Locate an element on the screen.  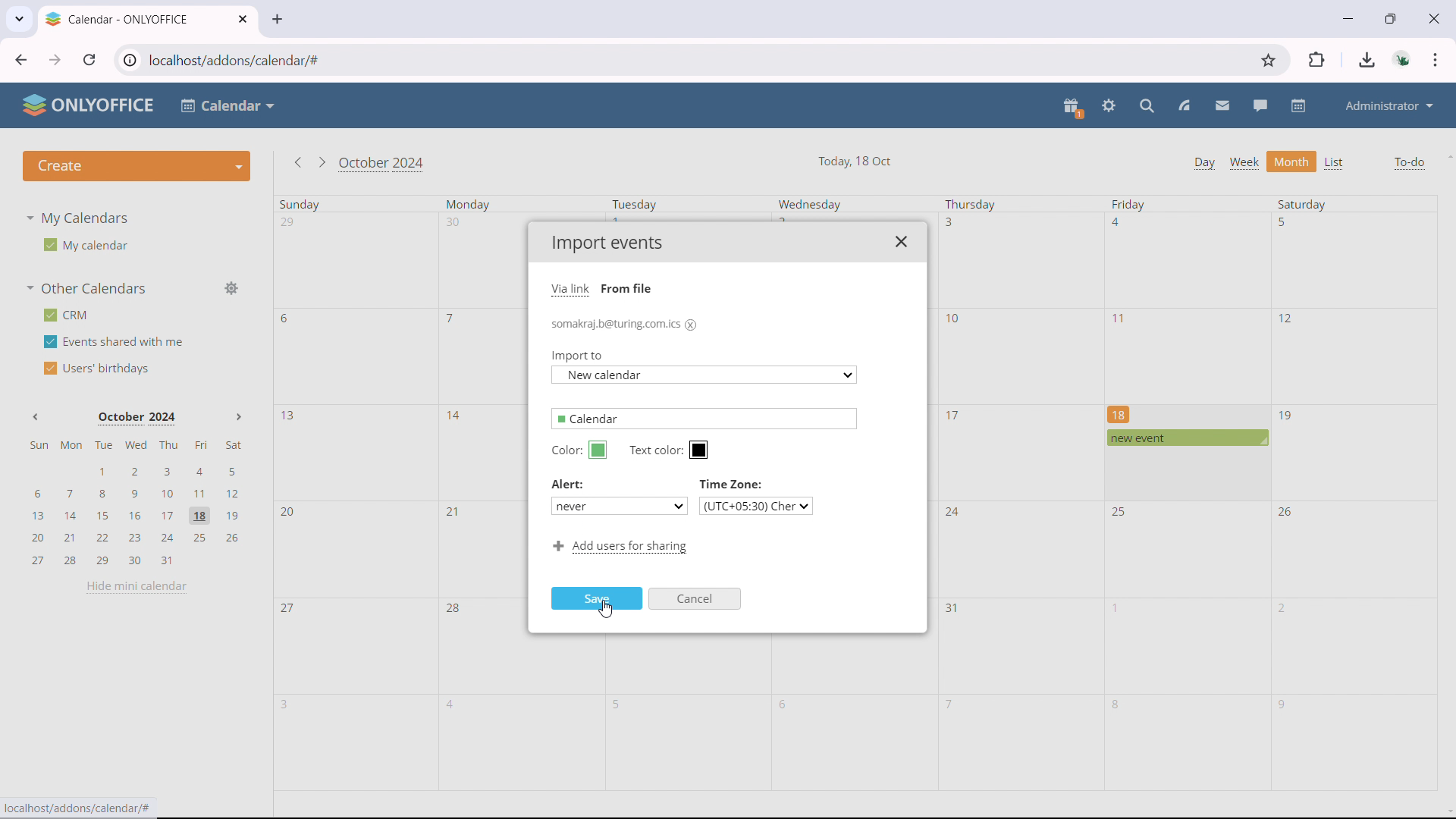
3 is located at coordinates (288, 704).